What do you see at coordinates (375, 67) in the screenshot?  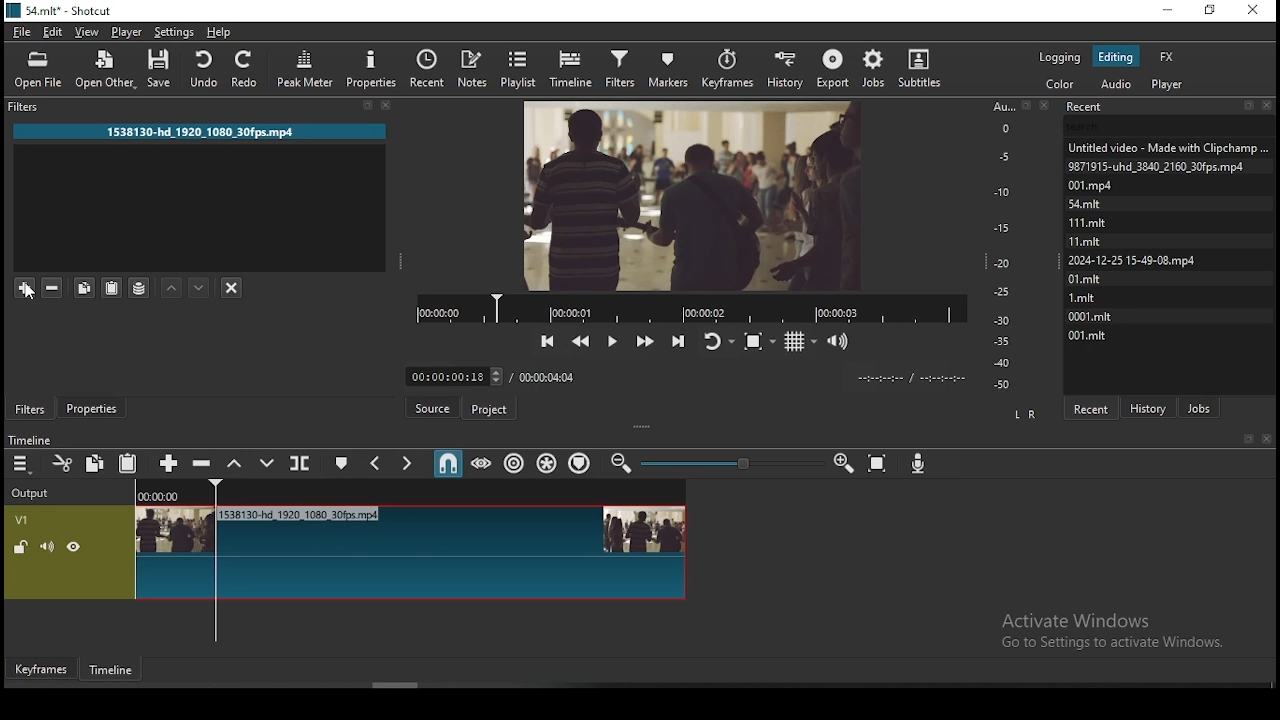 I see `properties` at bounding box center [375, 67].